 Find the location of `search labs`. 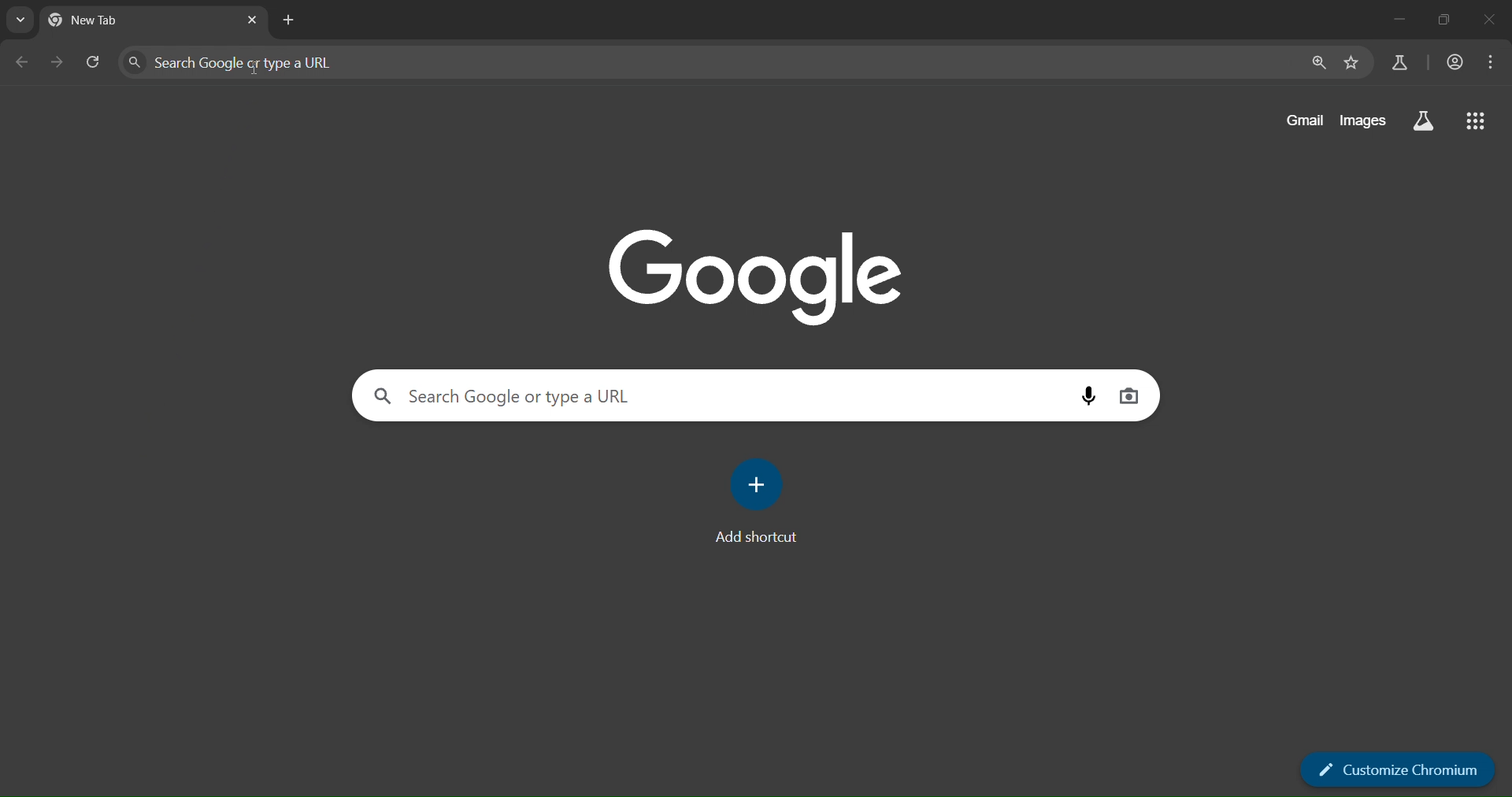

search labs is located at coordinates (1425, 119).